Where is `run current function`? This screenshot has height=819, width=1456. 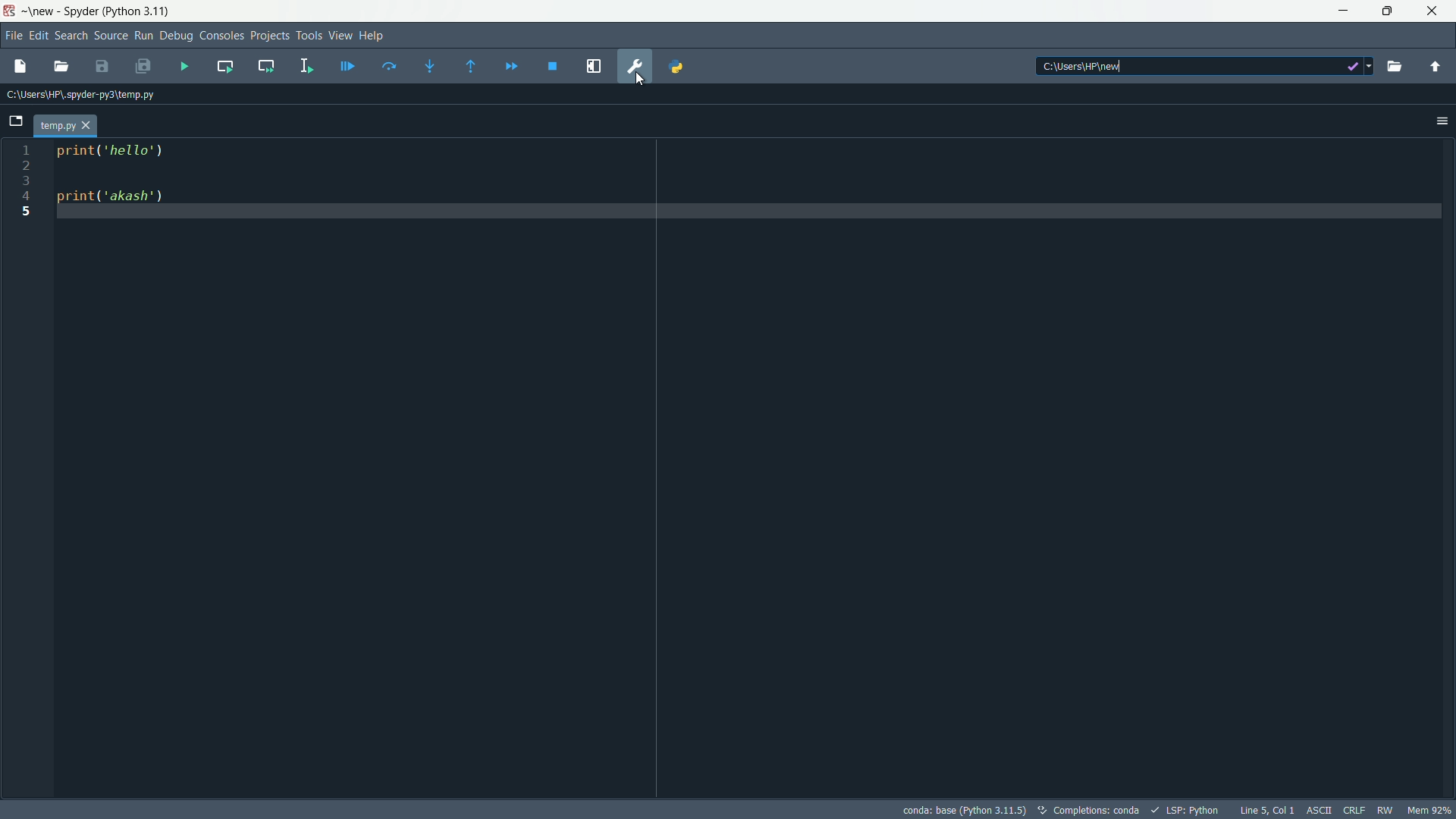 run current function is located at coordinates (225, 65).